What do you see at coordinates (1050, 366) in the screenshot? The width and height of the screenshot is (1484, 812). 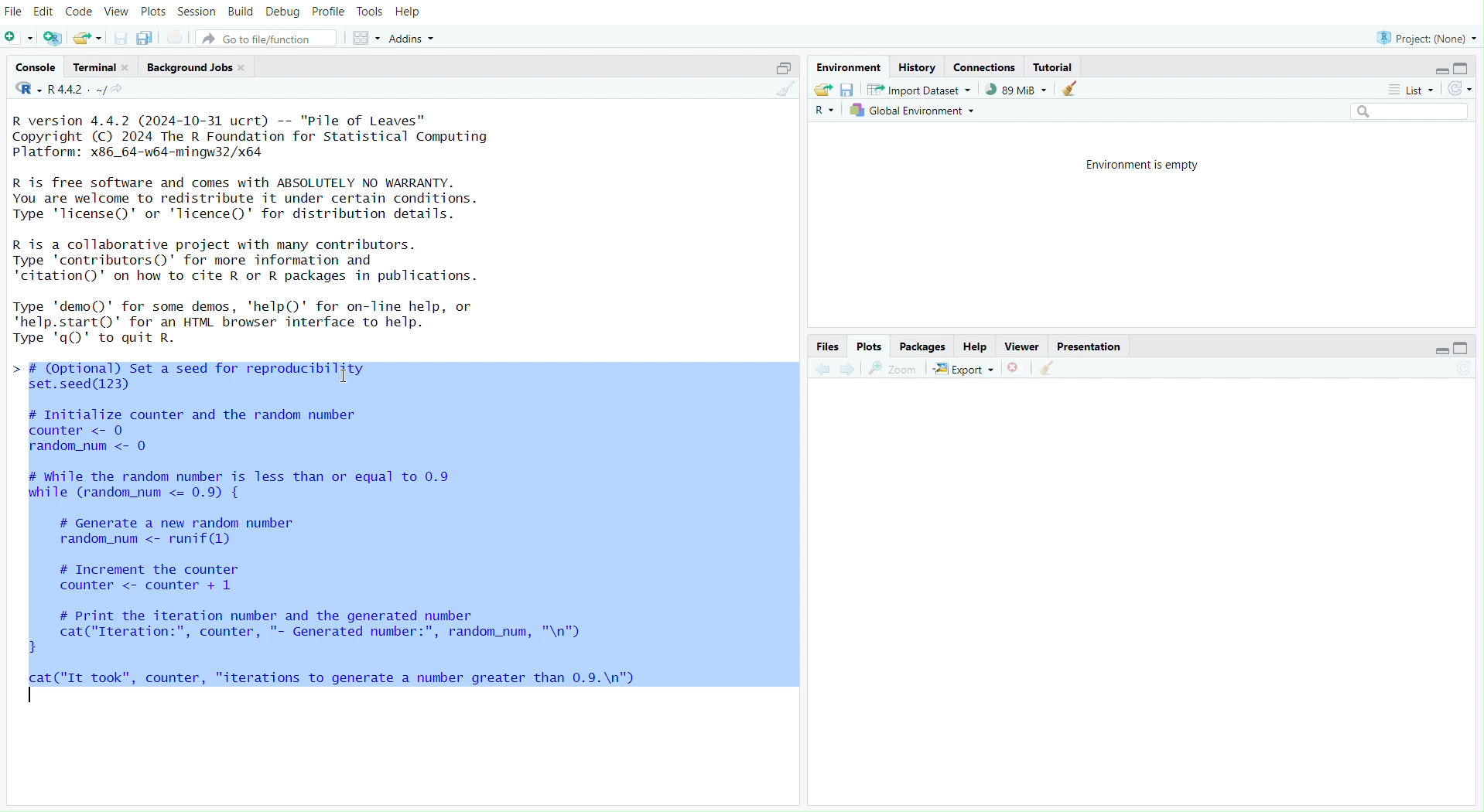 I see `Clear Console (Ctrl + L)` at bounding box center [1050, 366].